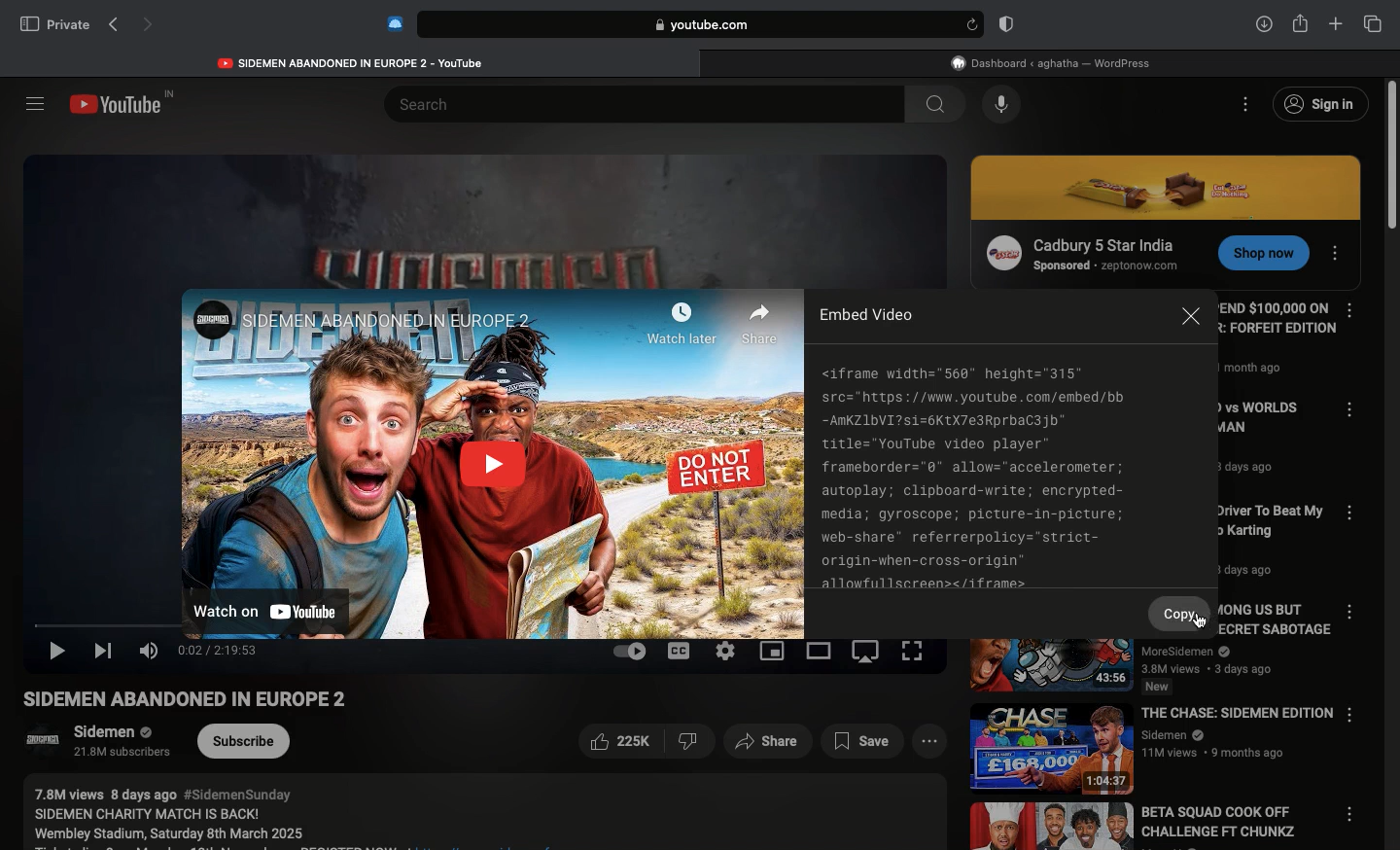 The image size is (1400, 850). Describe the element at coordinates (59, 655) in the screenshot. I see `Play` at that location.